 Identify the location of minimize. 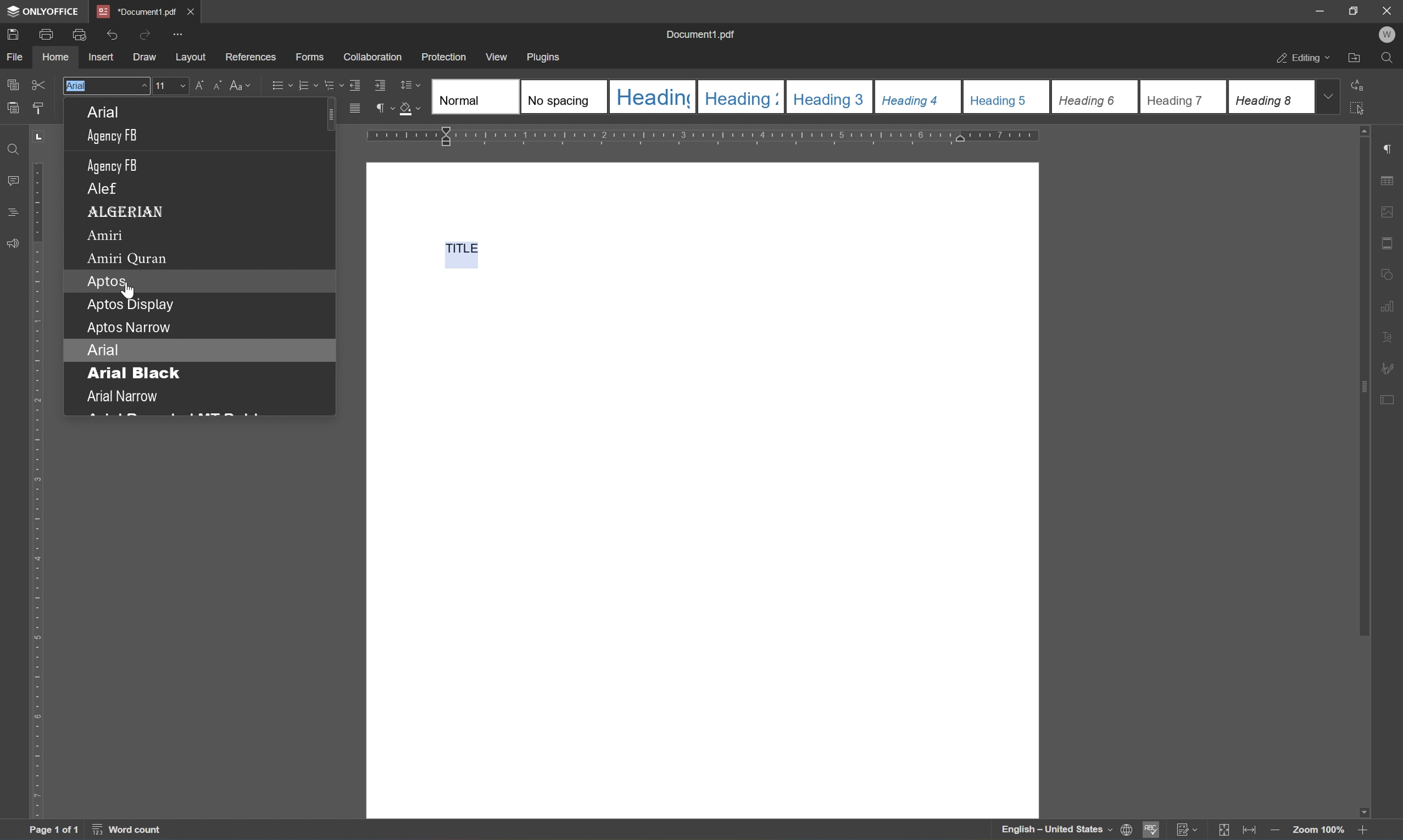
(1319, 11).